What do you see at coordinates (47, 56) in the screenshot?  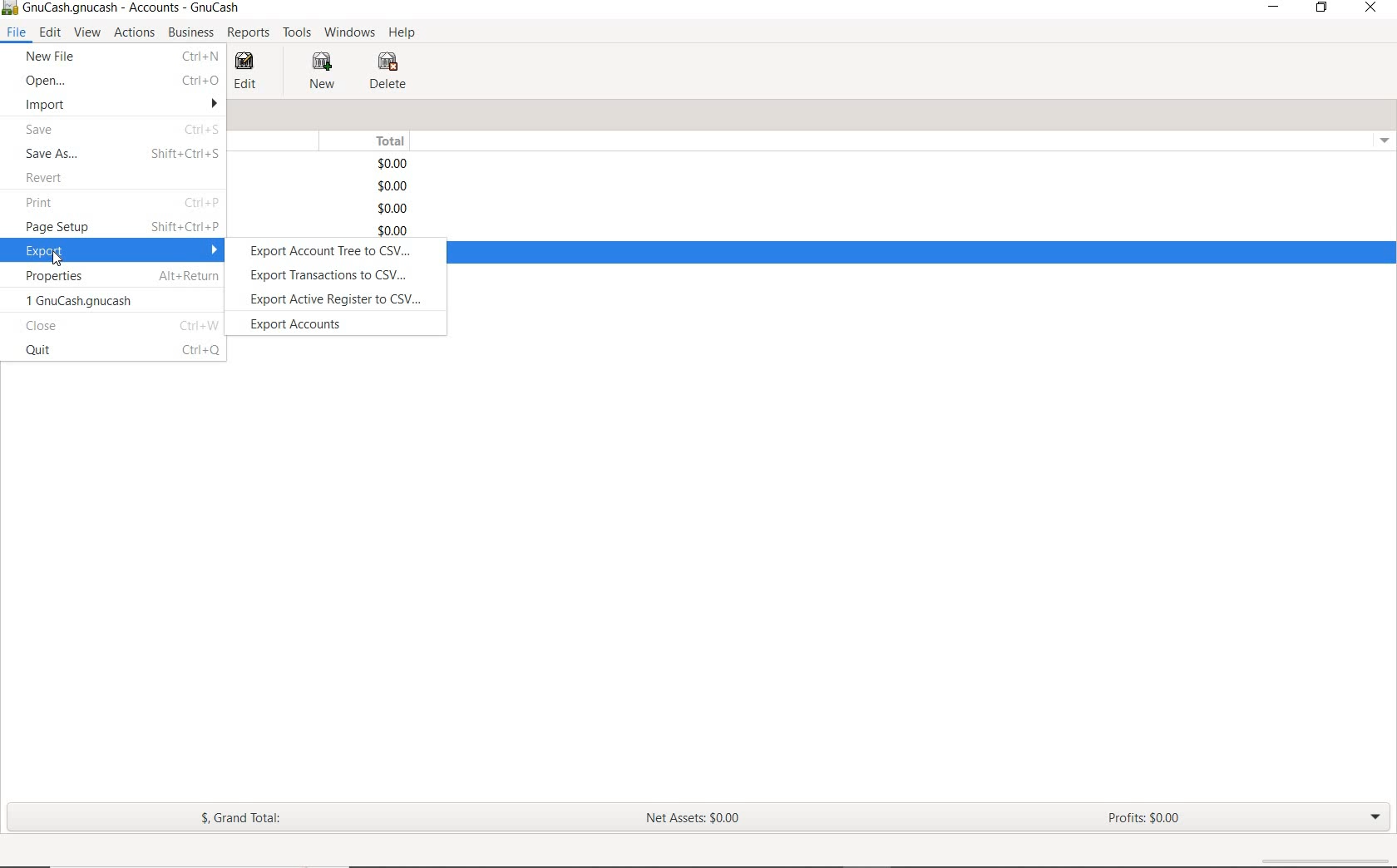 I see `NEW FILE` at bounding box center [47, 56].